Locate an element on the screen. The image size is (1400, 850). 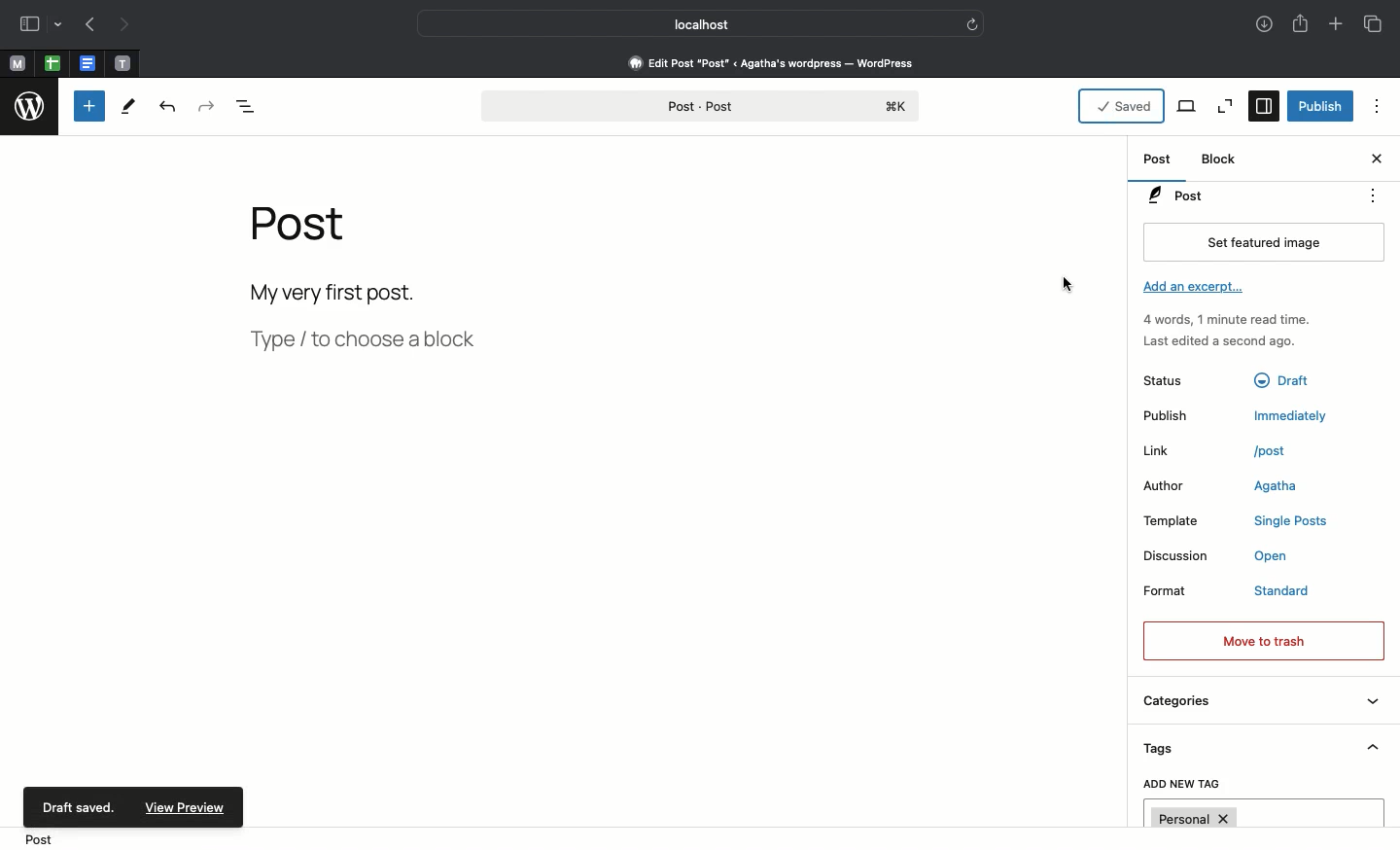
draft is located at coordinates (1280, 380).